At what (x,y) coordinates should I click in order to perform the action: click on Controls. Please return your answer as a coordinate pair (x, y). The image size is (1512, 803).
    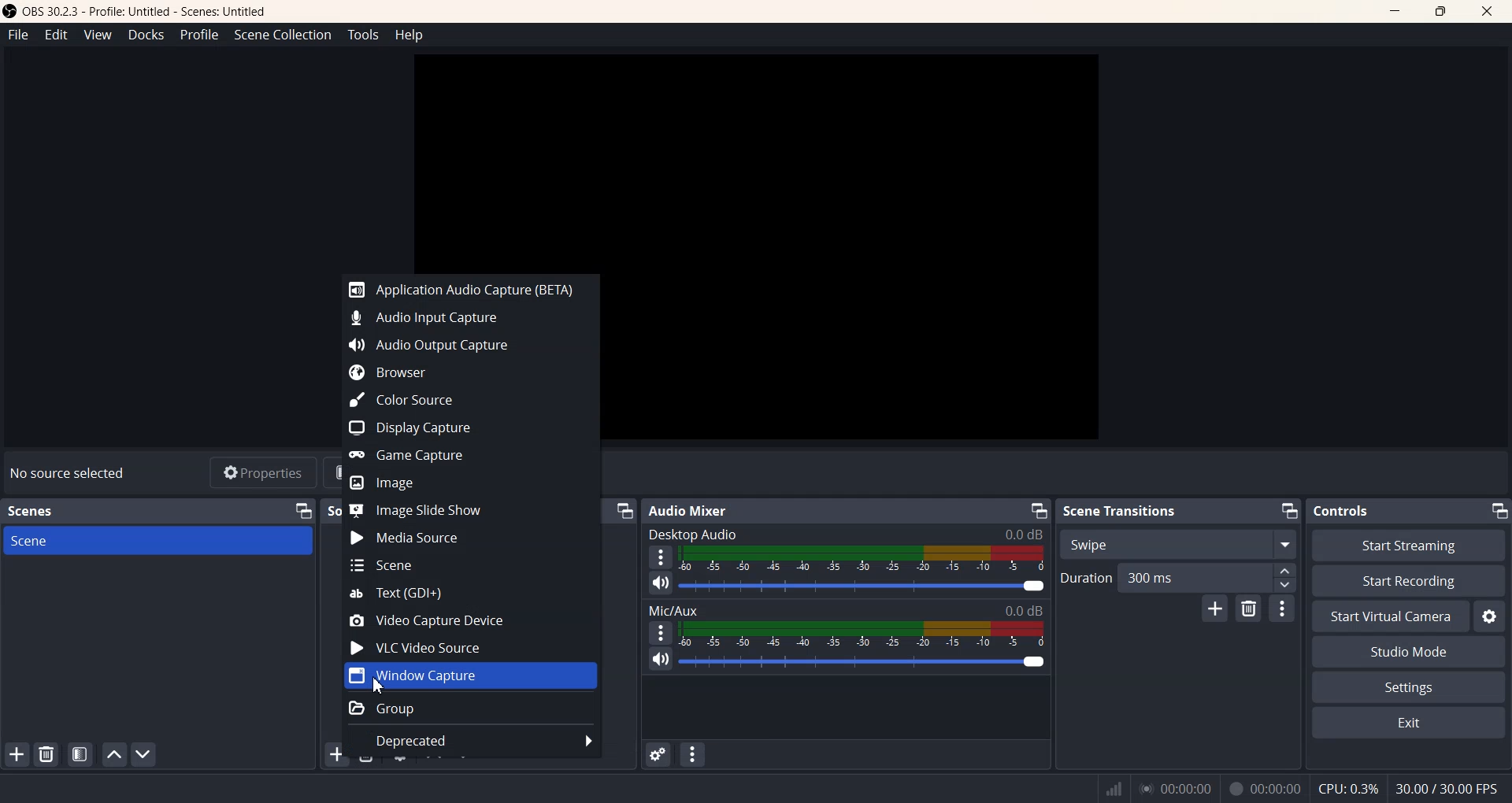
    Looking at the image, I should click on (1346, 511).